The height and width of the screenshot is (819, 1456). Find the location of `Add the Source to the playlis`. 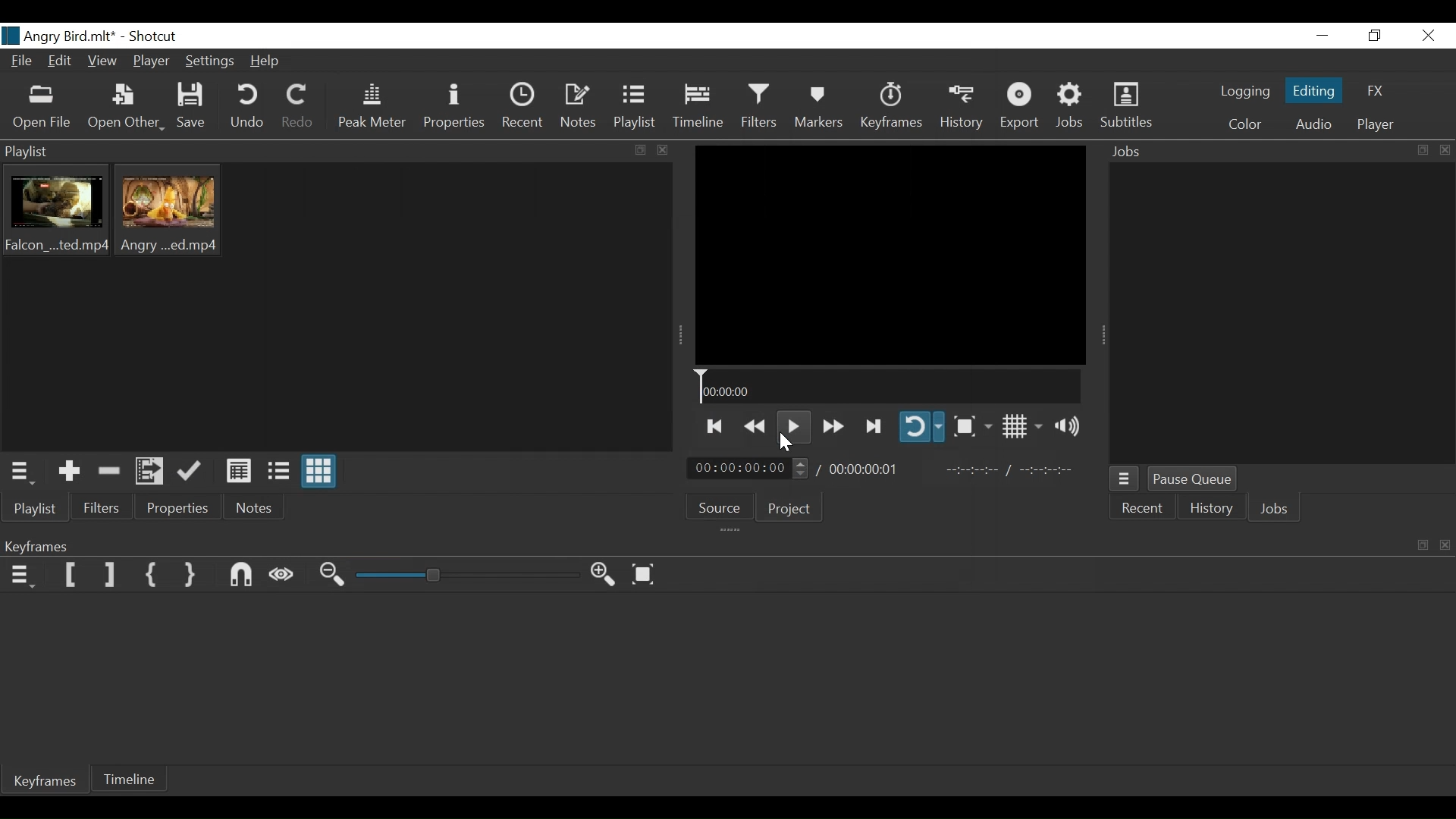

Add the Source to the playlis is located at coordinates (70, 470).